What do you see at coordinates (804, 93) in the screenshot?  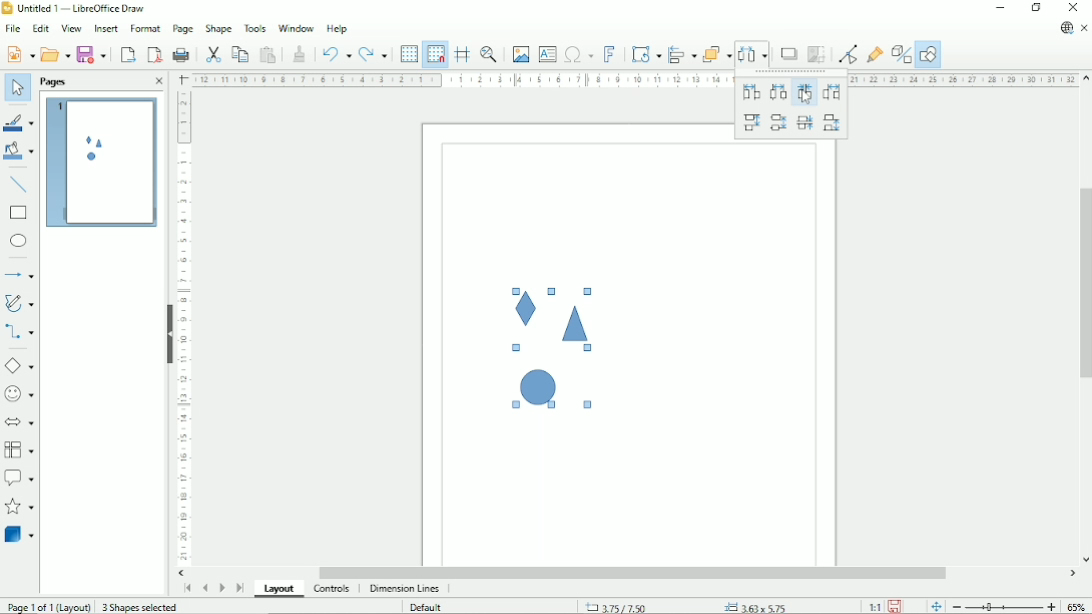 I see `Horizontally spacing` at bounding box center [804, 93].